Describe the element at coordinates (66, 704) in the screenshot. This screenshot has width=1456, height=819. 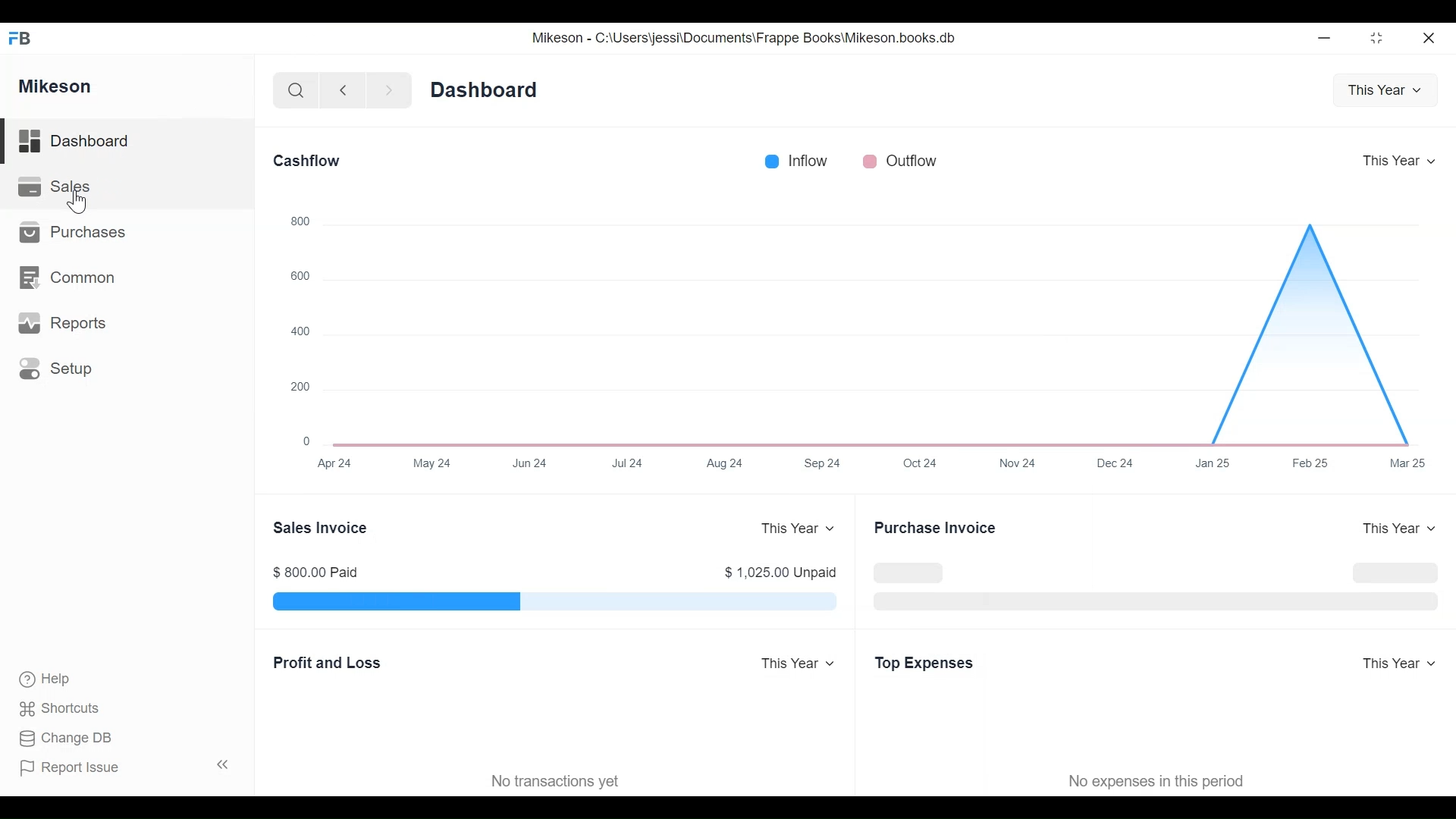
I see `Shortcuts` at that location.